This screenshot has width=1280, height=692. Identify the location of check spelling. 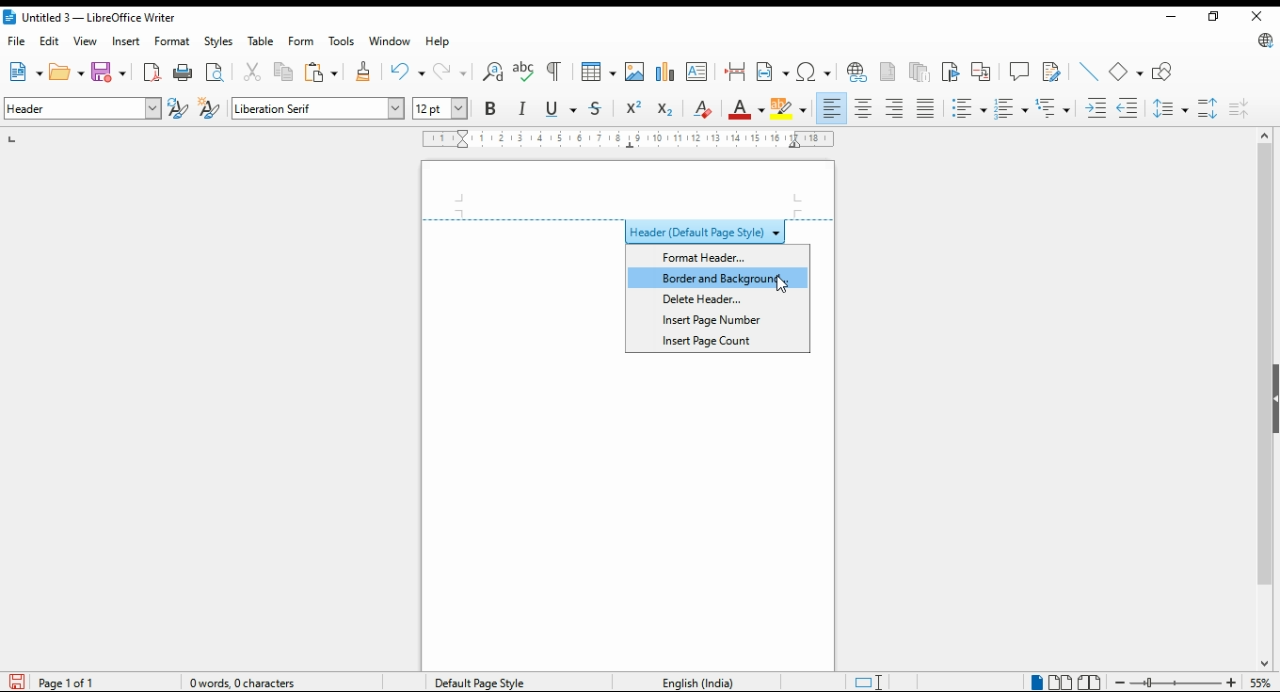
(524, 72).